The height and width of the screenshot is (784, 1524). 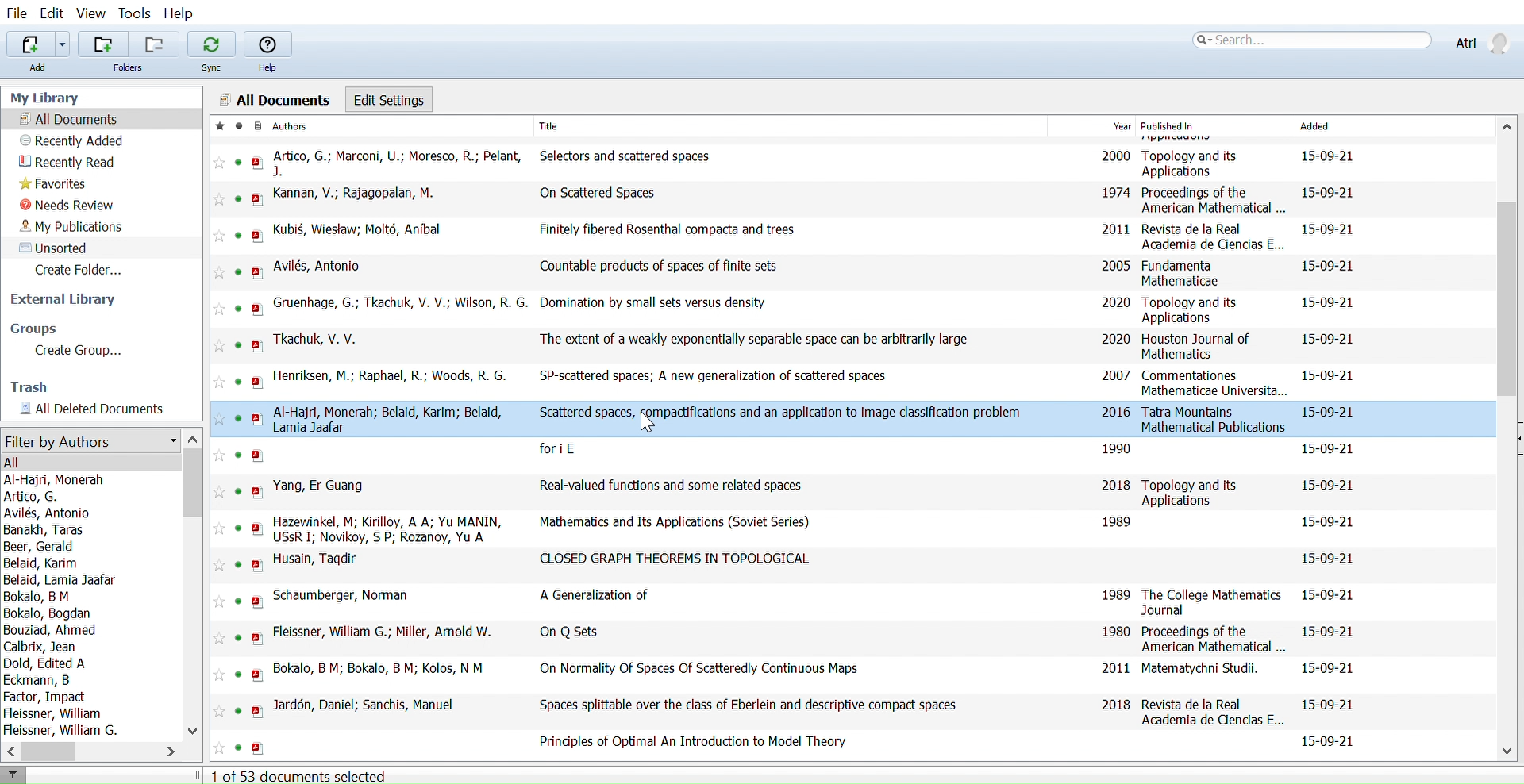 I want to click on PDF Document, so click(x=258, y=675).